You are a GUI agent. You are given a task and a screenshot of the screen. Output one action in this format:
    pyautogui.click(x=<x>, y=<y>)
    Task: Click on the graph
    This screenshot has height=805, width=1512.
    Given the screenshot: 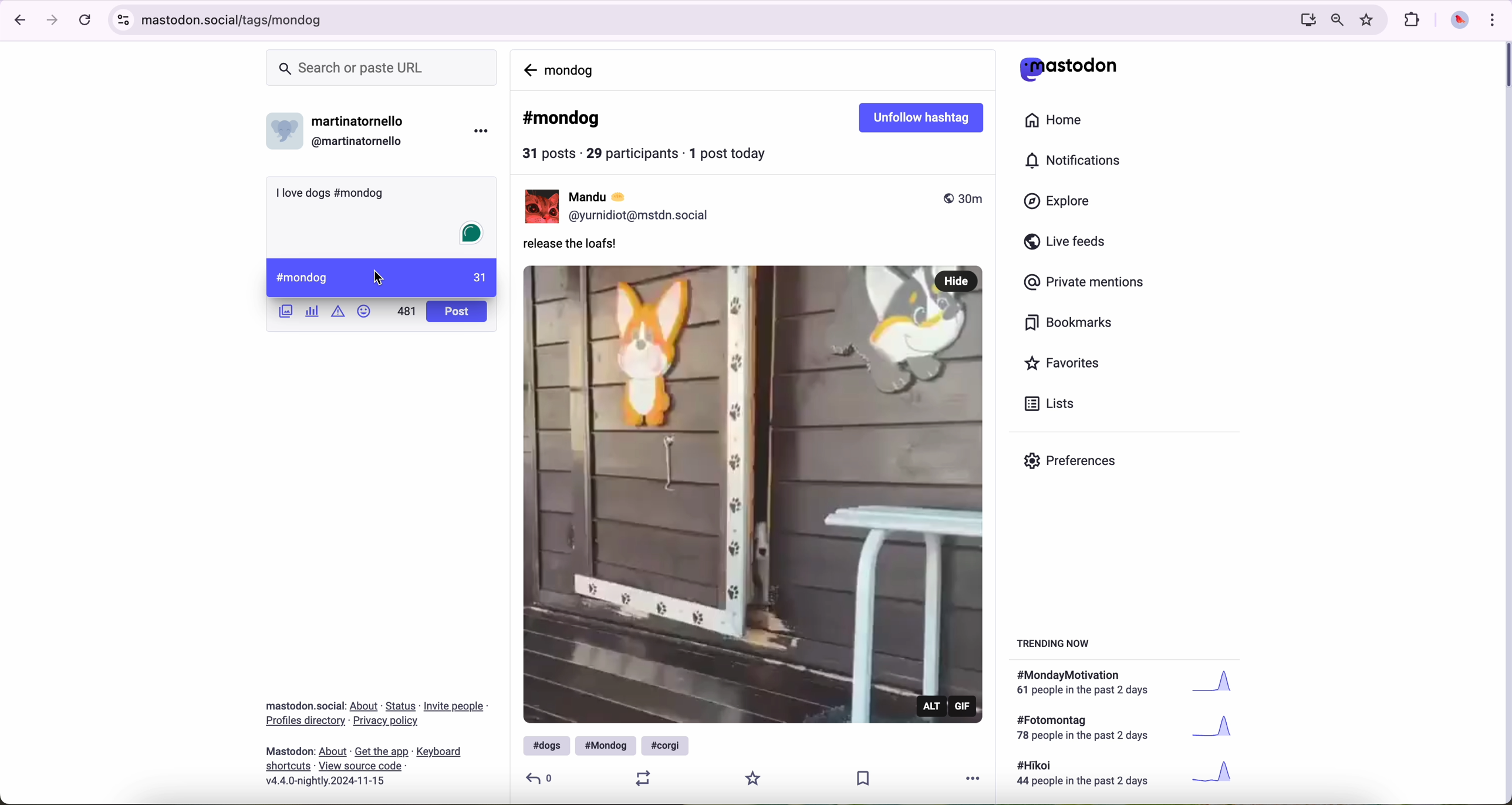 What is the action you would take?
    pyautogui.click(x=1217, y=773)
    